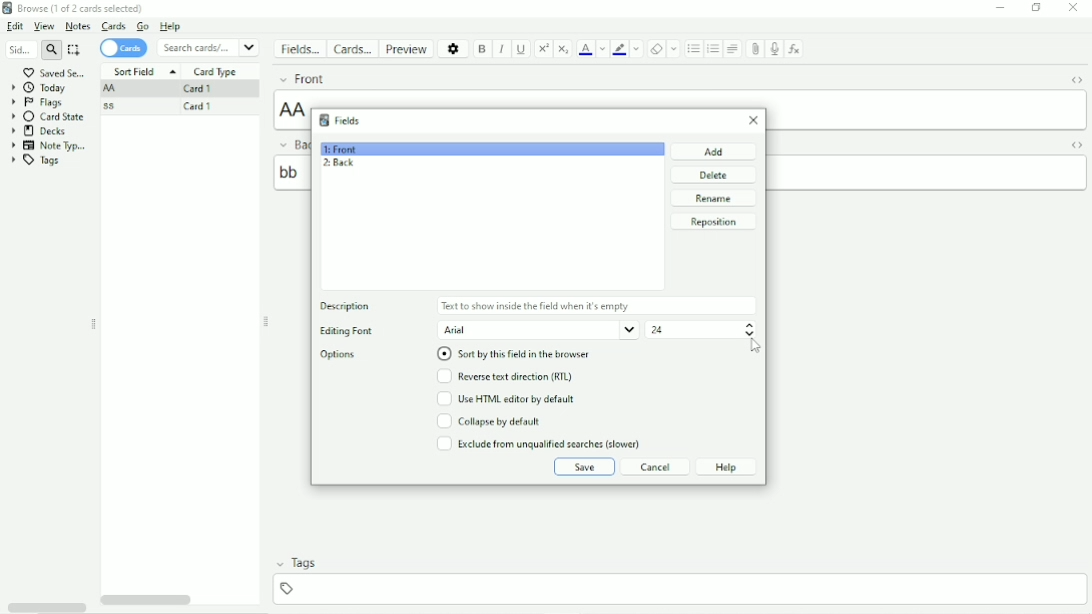 This screenshot has height=614, width=1092. I want to click on Go, so click(144, 27).